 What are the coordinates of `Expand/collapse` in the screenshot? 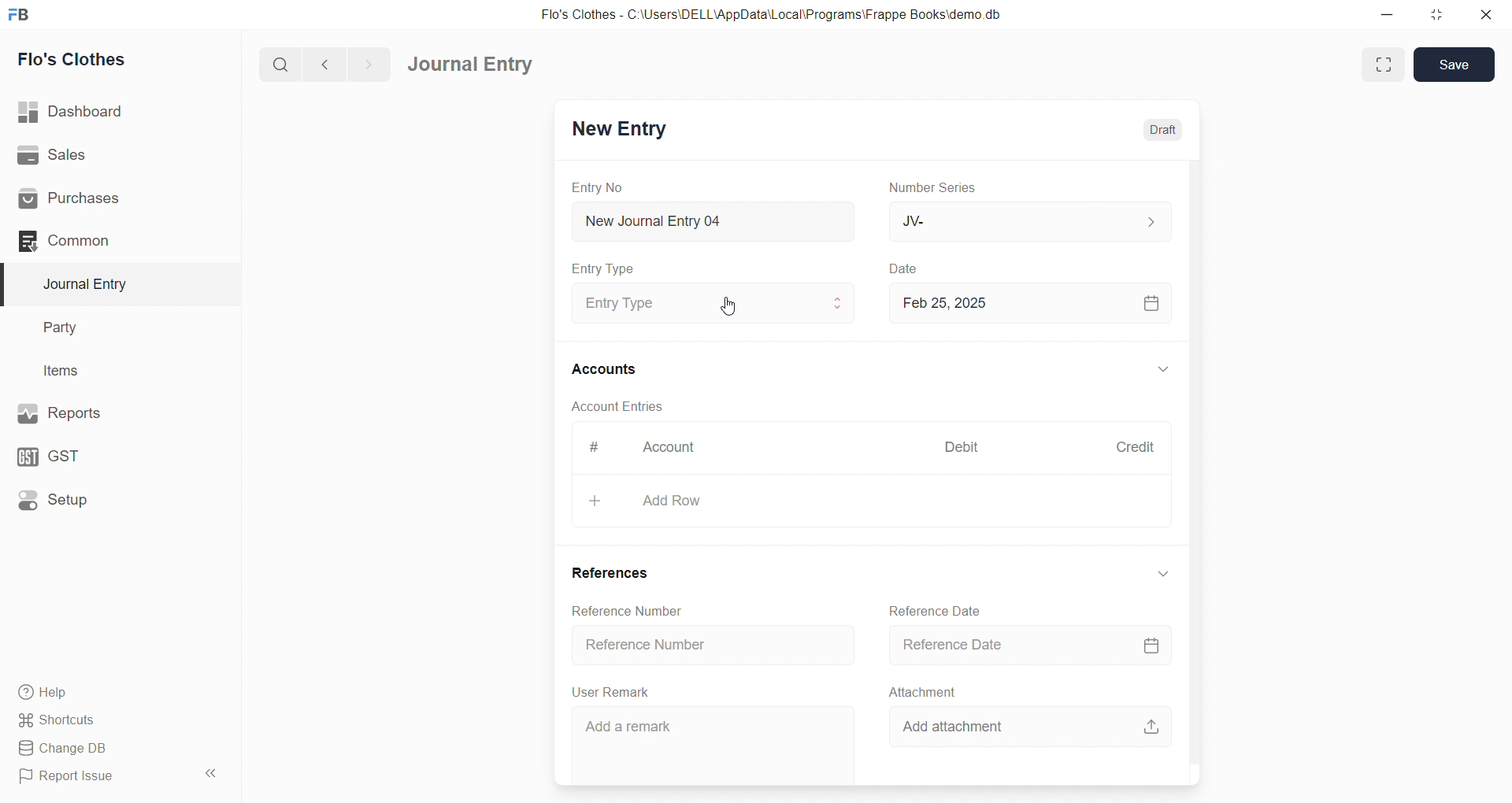 It's located at (1162, 573).